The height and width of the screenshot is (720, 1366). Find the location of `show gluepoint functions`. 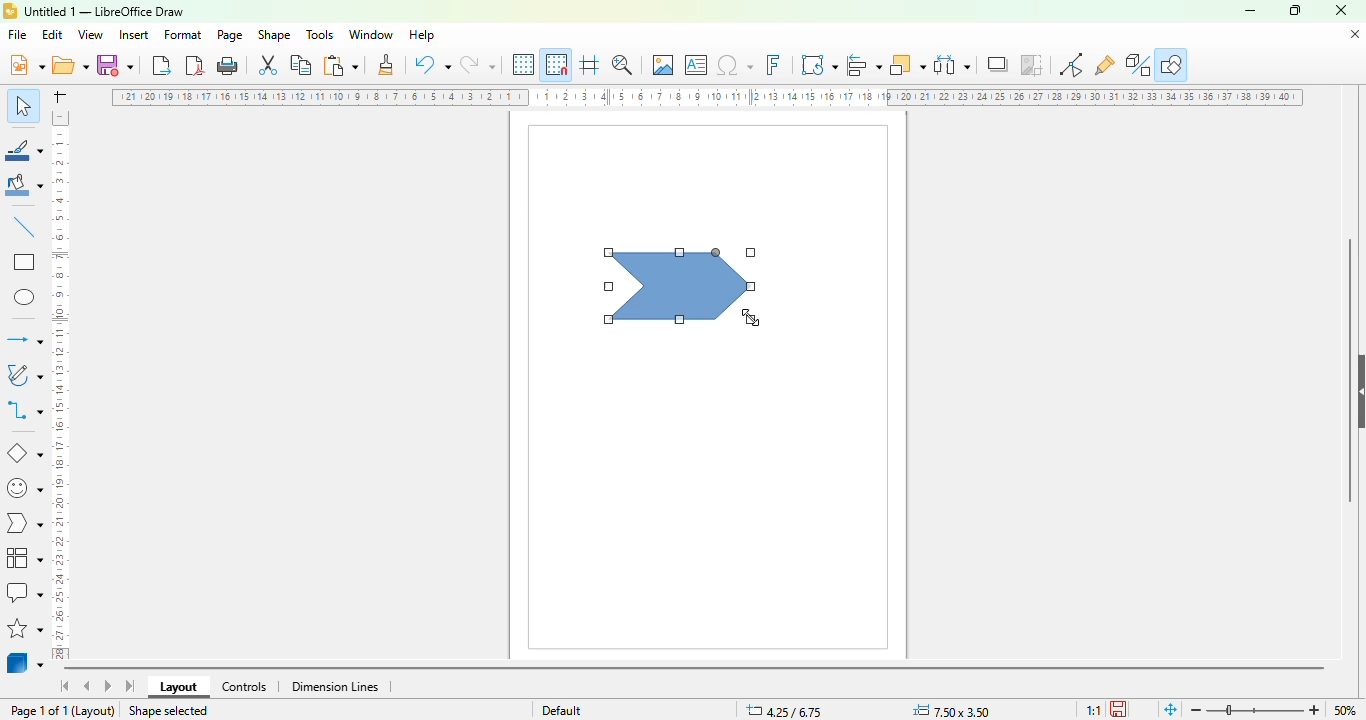

show gluepoint functions is located at coordinates (1104, 66).